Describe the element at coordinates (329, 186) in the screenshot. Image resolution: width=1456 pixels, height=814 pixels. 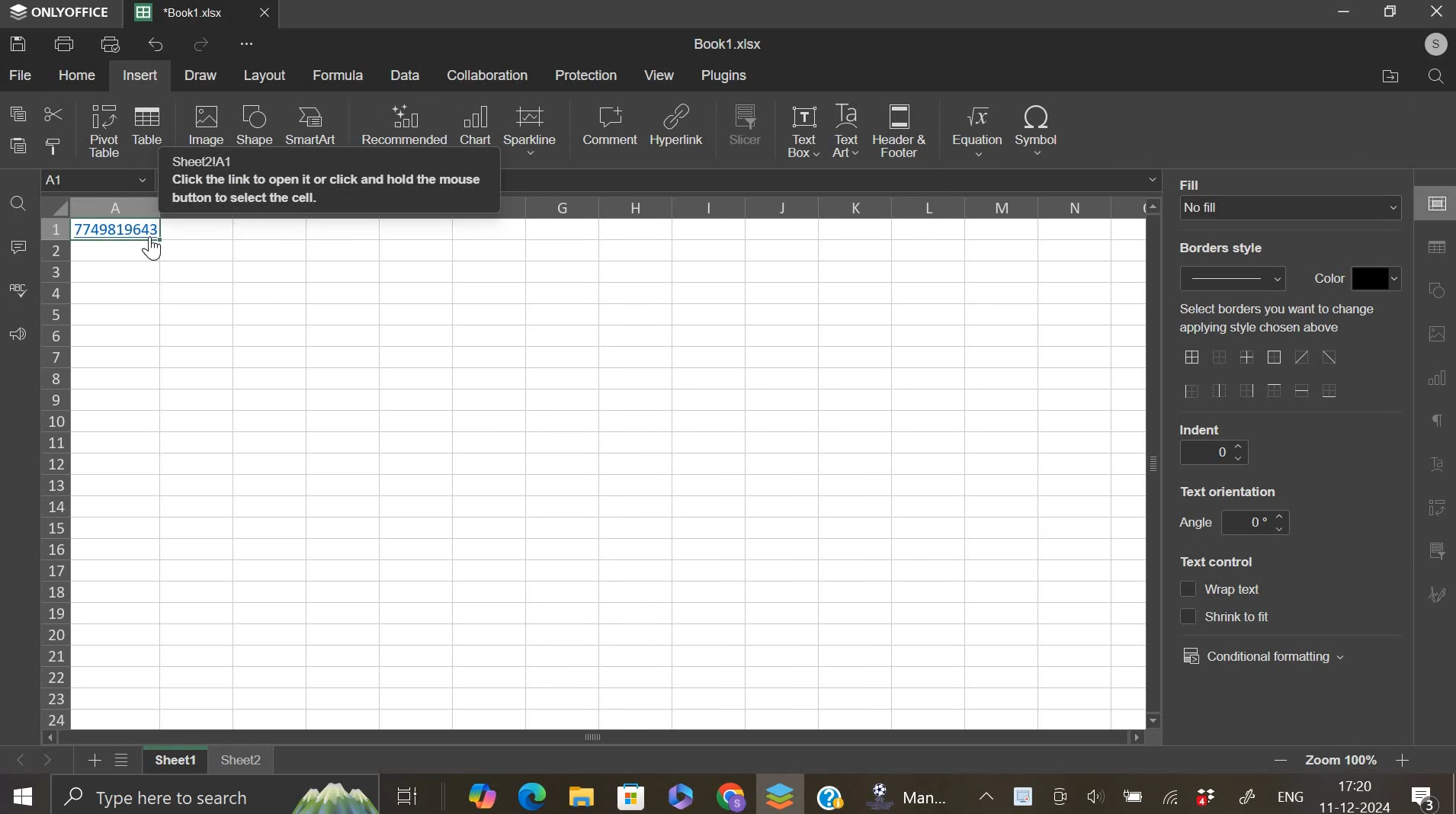
I see `Sheet21A1 Click the link to open it or click and hold the mouse button to select the cell` at that location.